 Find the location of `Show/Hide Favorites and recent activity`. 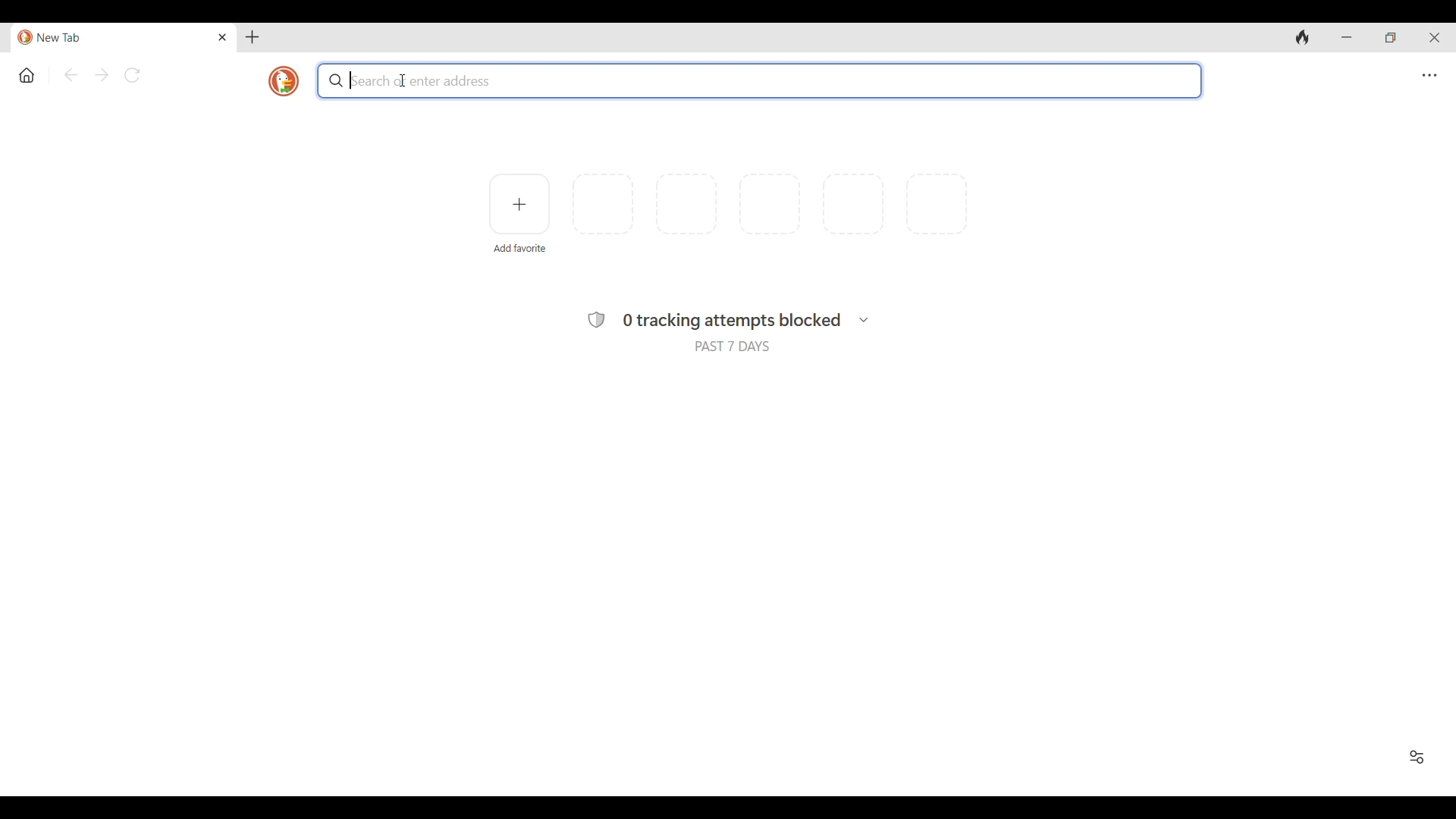

Show/Hide Favorites and recent activity is located at coordinates (1417, 757).